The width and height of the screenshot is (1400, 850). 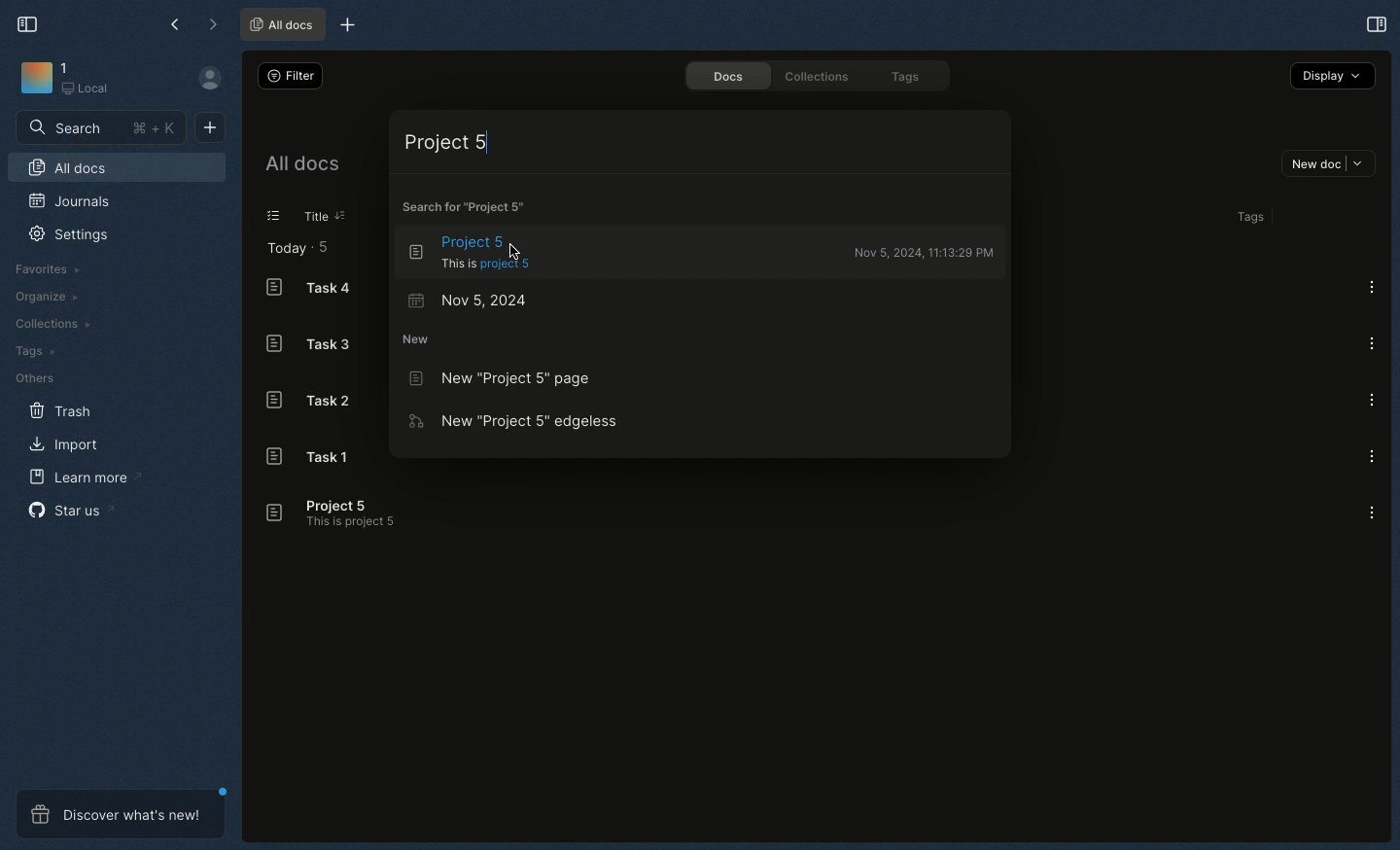 What do you see at coordinates (65, 510) in the screenshot?
I see `Star us` at bounding box center [65, 510].